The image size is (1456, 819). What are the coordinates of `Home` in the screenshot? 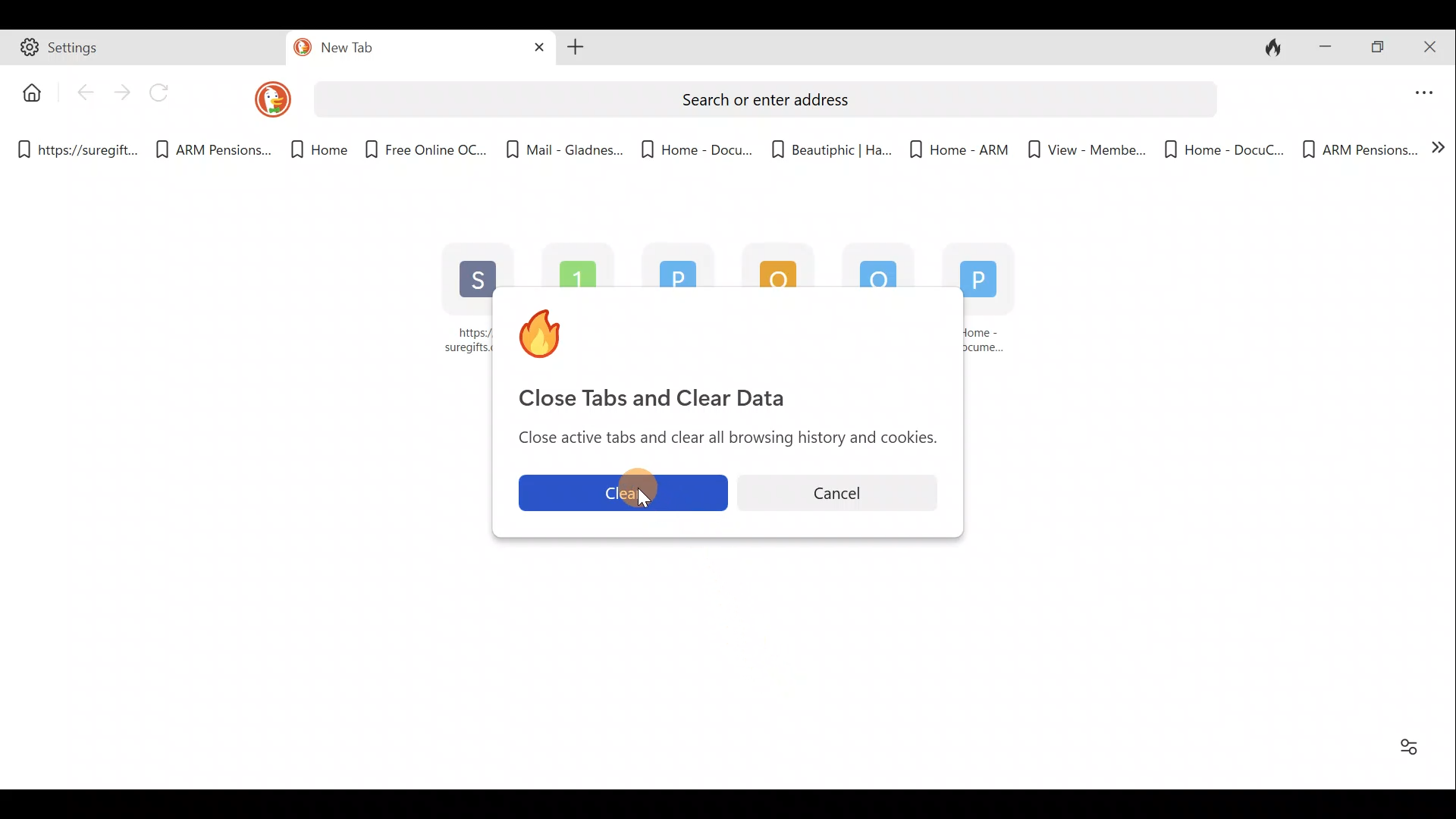 It's located at (310, 150).